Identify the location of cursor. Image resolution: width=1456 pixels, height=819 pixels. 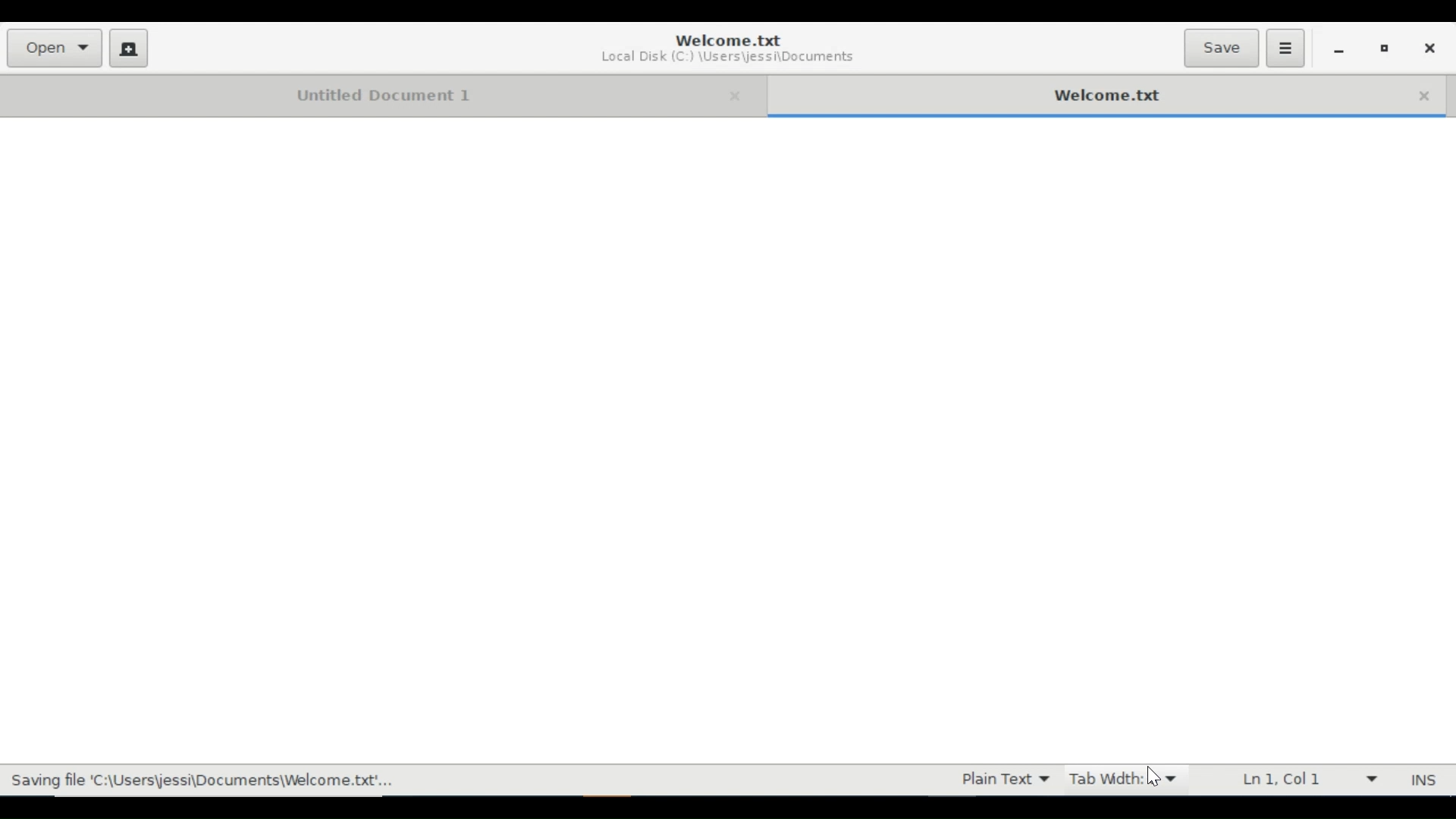
(1156, 777).